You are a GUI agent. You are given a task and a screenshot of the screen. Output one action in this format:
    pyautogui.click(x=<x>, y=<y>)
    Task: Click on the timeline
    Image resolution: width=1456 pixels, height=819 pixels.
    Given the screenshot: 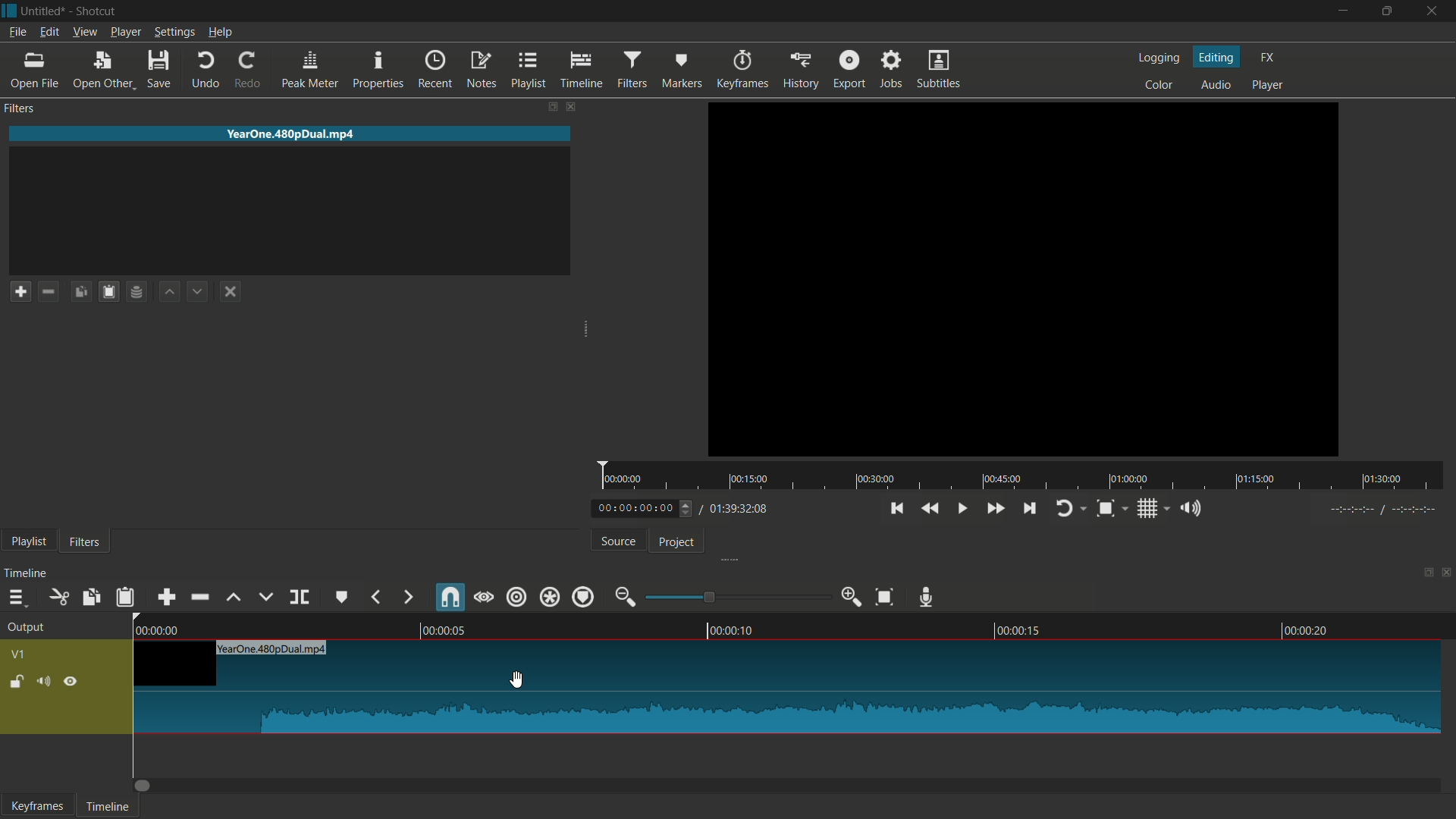 What is the action you would take?
    pyautogui.click(x=106, y=806)
    